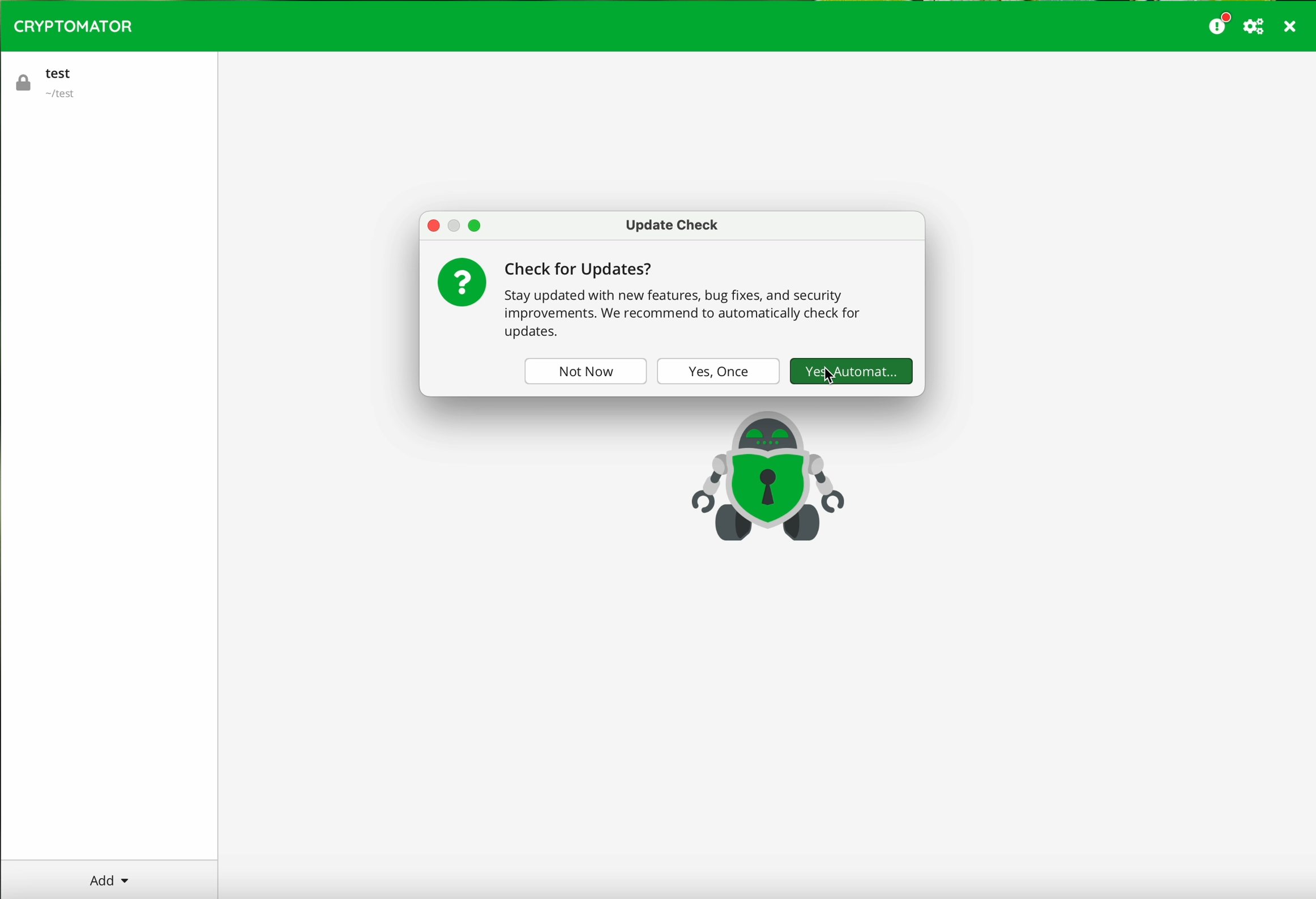  What do you see at coordinates (1291, 28) in the screenshot?
I see `close` at bounding box center [1291, 28].